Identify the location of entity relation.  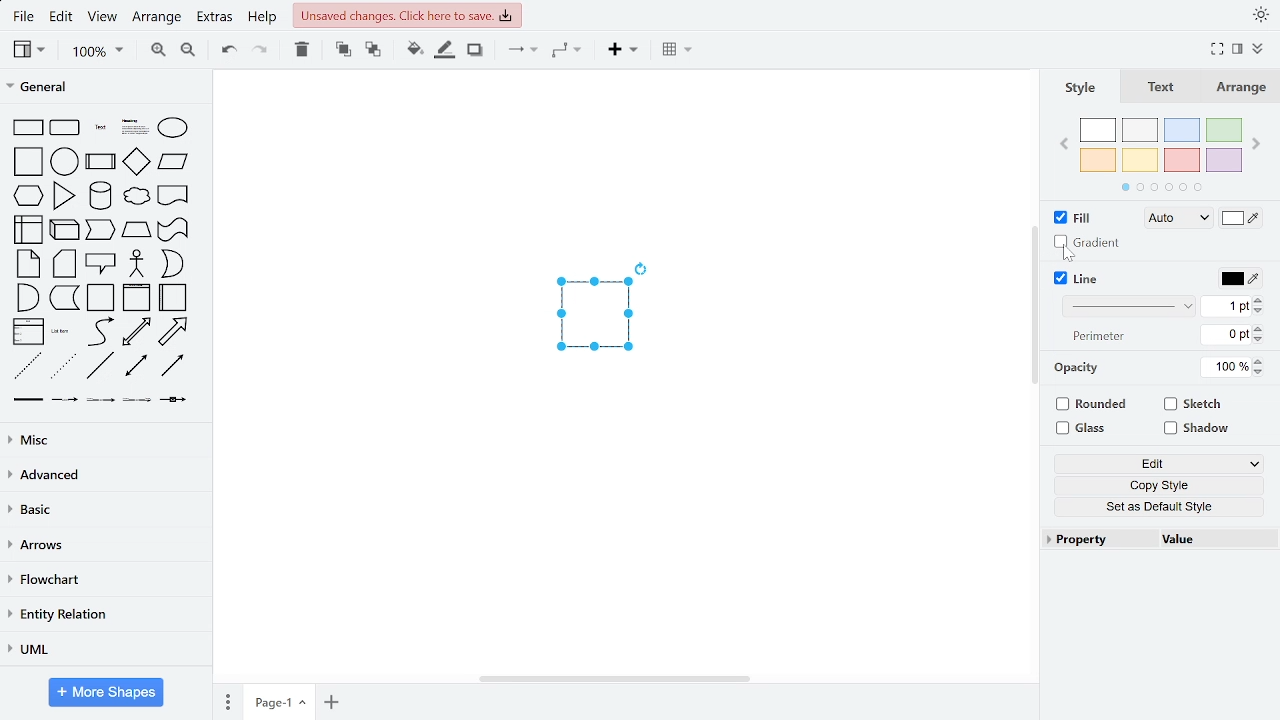
(103, 614).